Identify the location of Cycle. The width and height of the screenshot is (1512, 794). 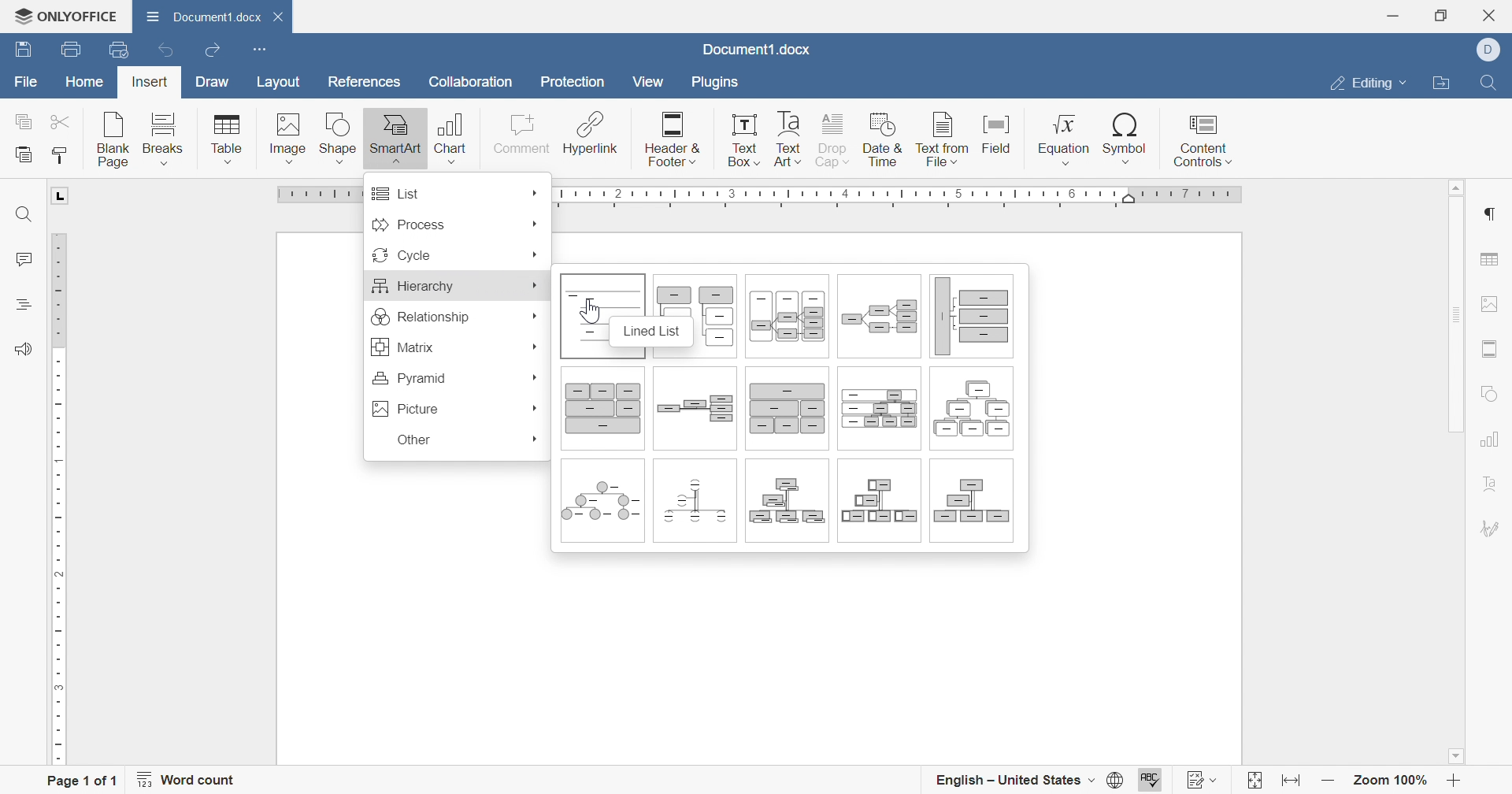
(400, 255).